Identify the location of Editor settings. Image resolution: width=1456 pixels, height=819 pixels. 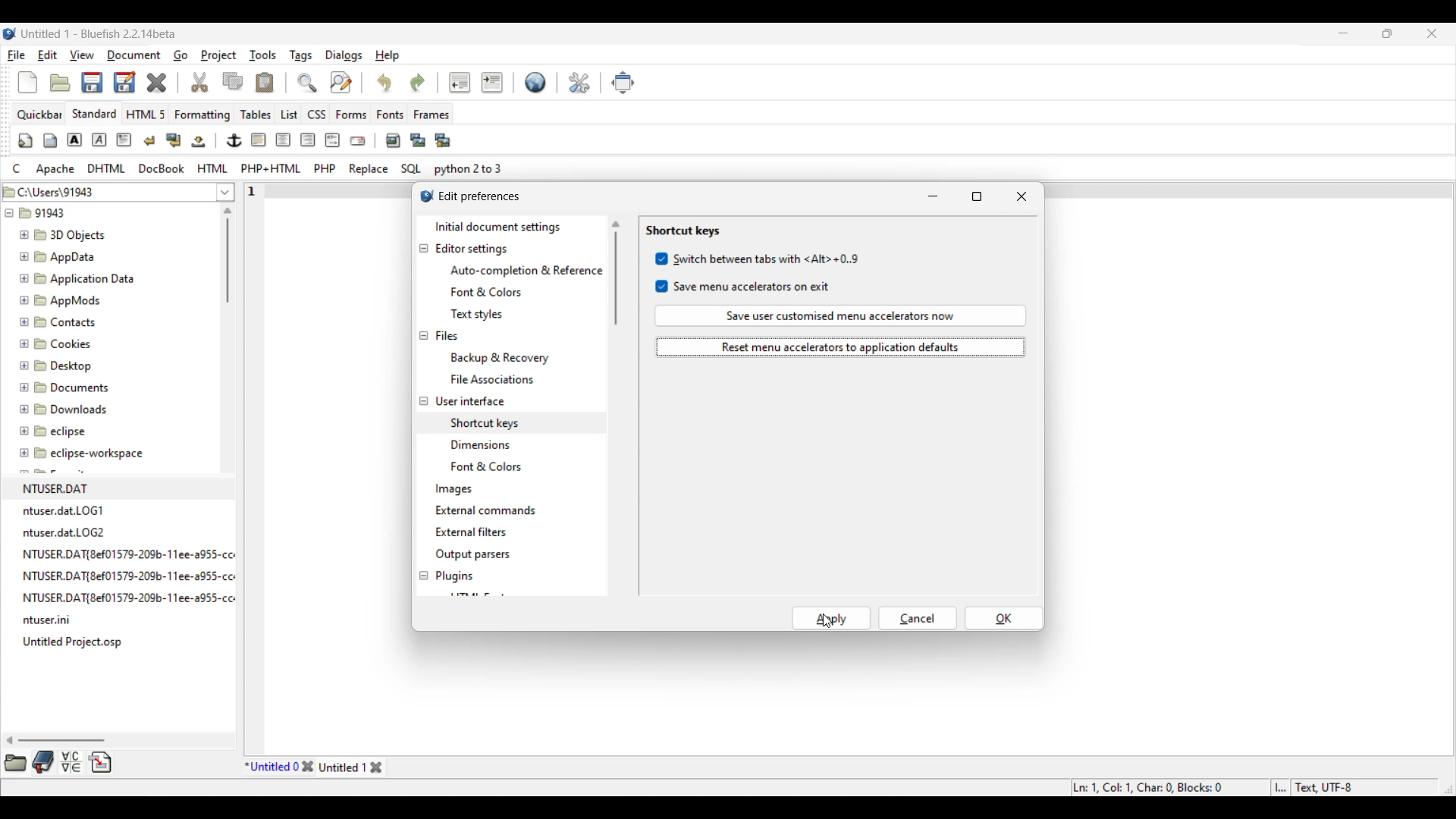
(472, 249).